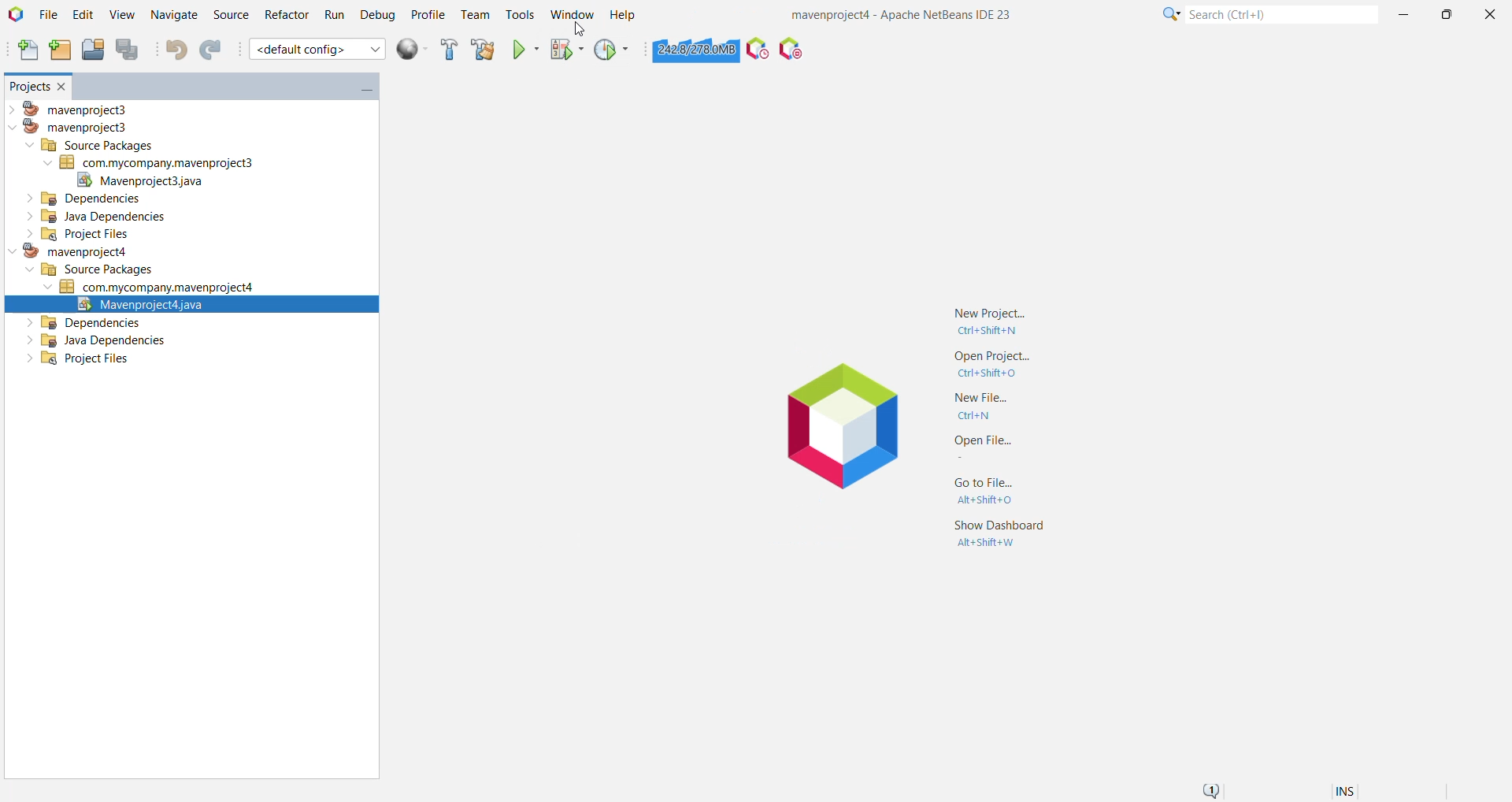 Image resolution: width=1512 pixels, height=802 pixels. Describe the element at coordinates (695, 50) in the screenshot. I see `Click to force garbage collection` at that location.